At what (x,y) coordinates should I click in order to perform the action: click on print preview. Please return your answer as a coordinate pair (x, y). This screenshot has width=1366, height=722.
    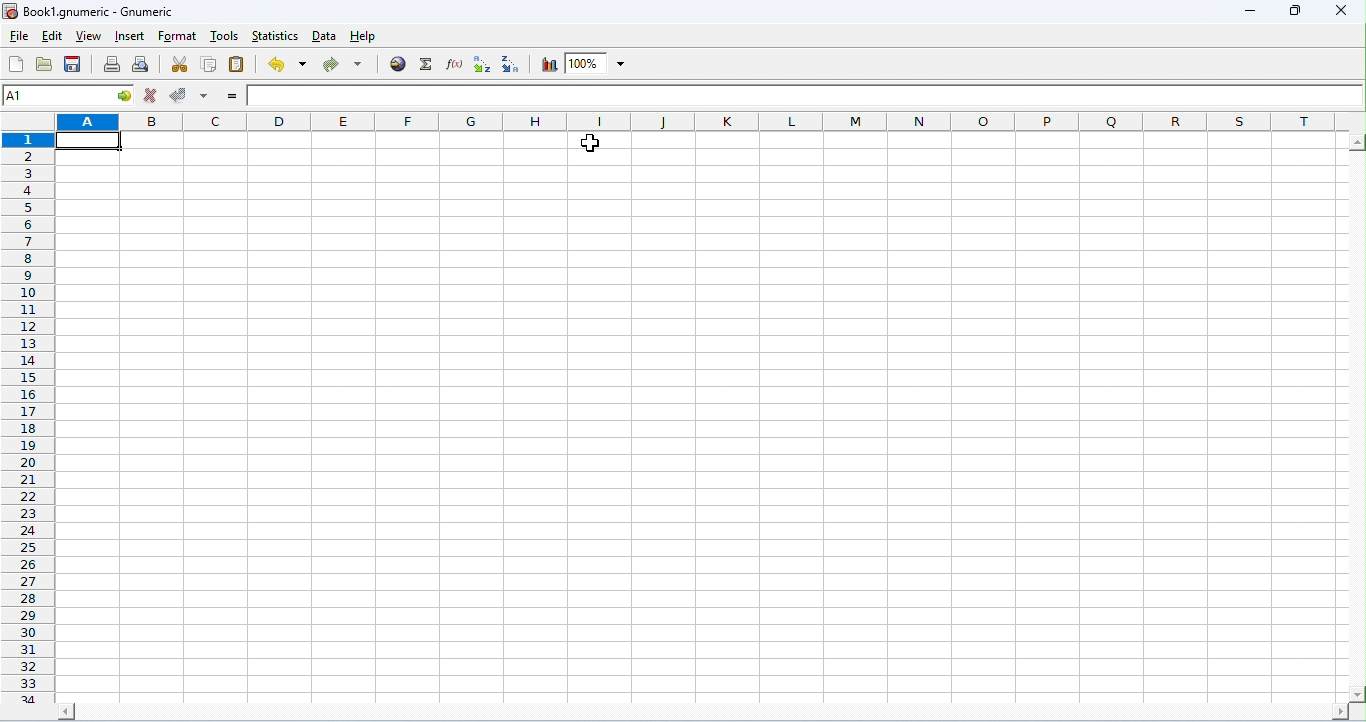
    Looking at the image, I should click on (141, 65).